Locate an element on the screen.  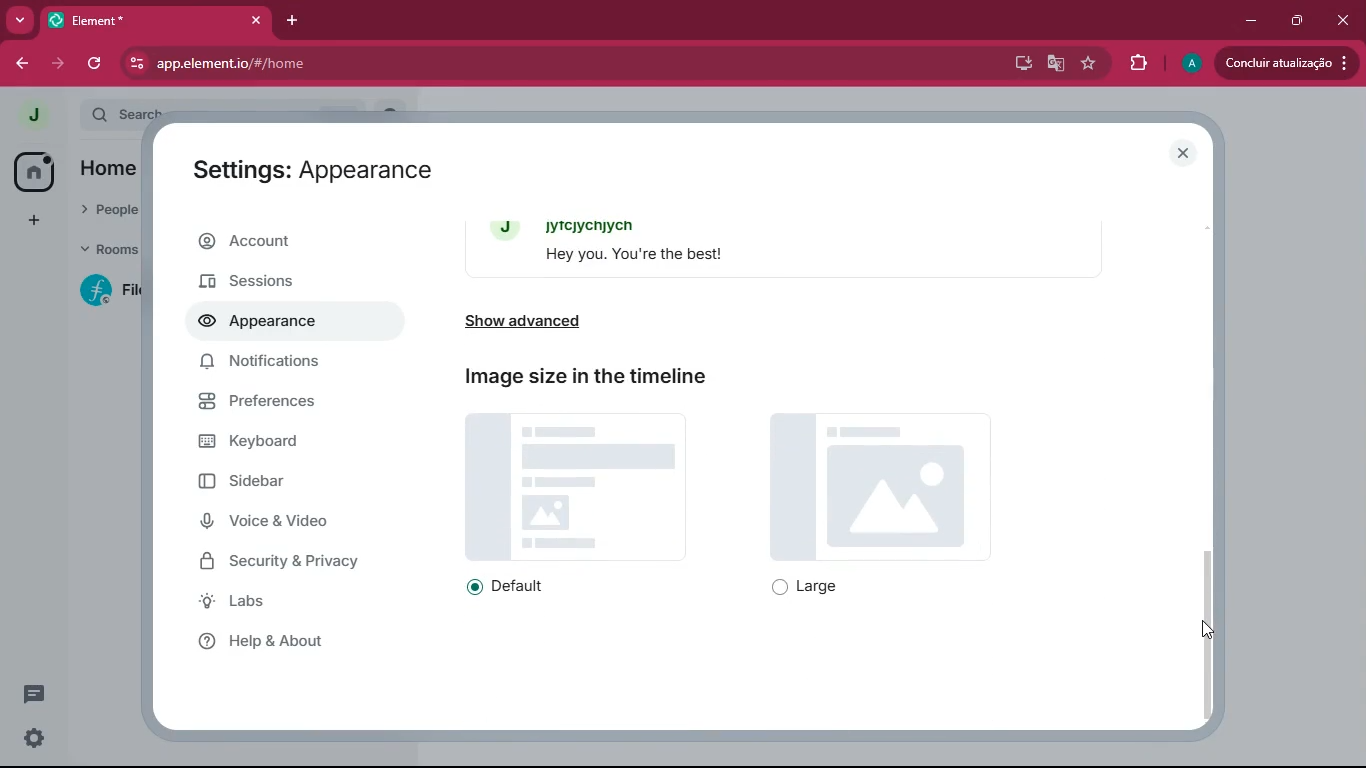
close is located at coordinates (256, 20).